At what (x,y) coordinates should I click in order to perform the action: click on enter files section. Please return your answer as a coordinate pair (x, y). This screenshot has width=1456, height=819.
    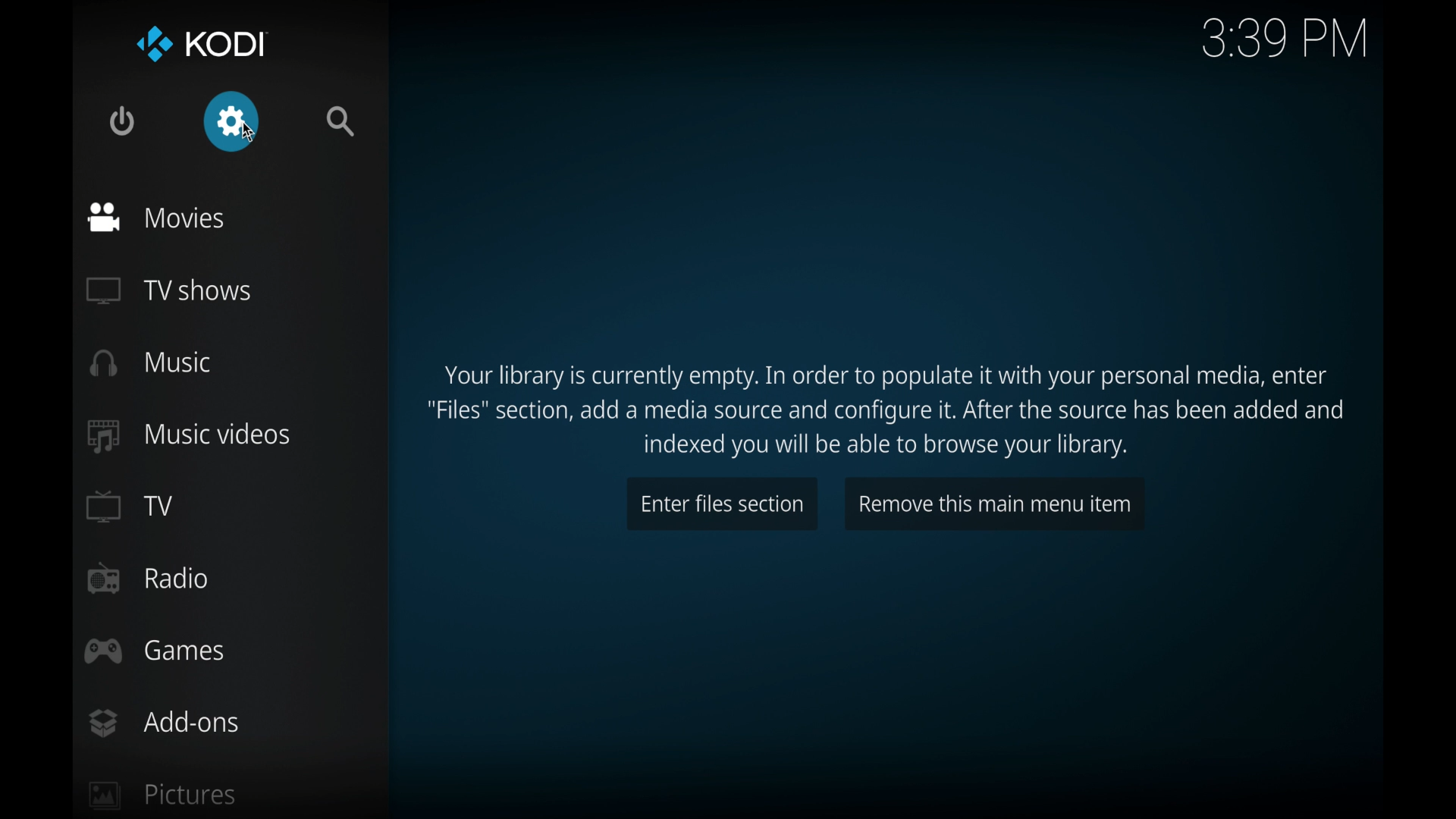
    Looking at the image, I should click on (720, 504).